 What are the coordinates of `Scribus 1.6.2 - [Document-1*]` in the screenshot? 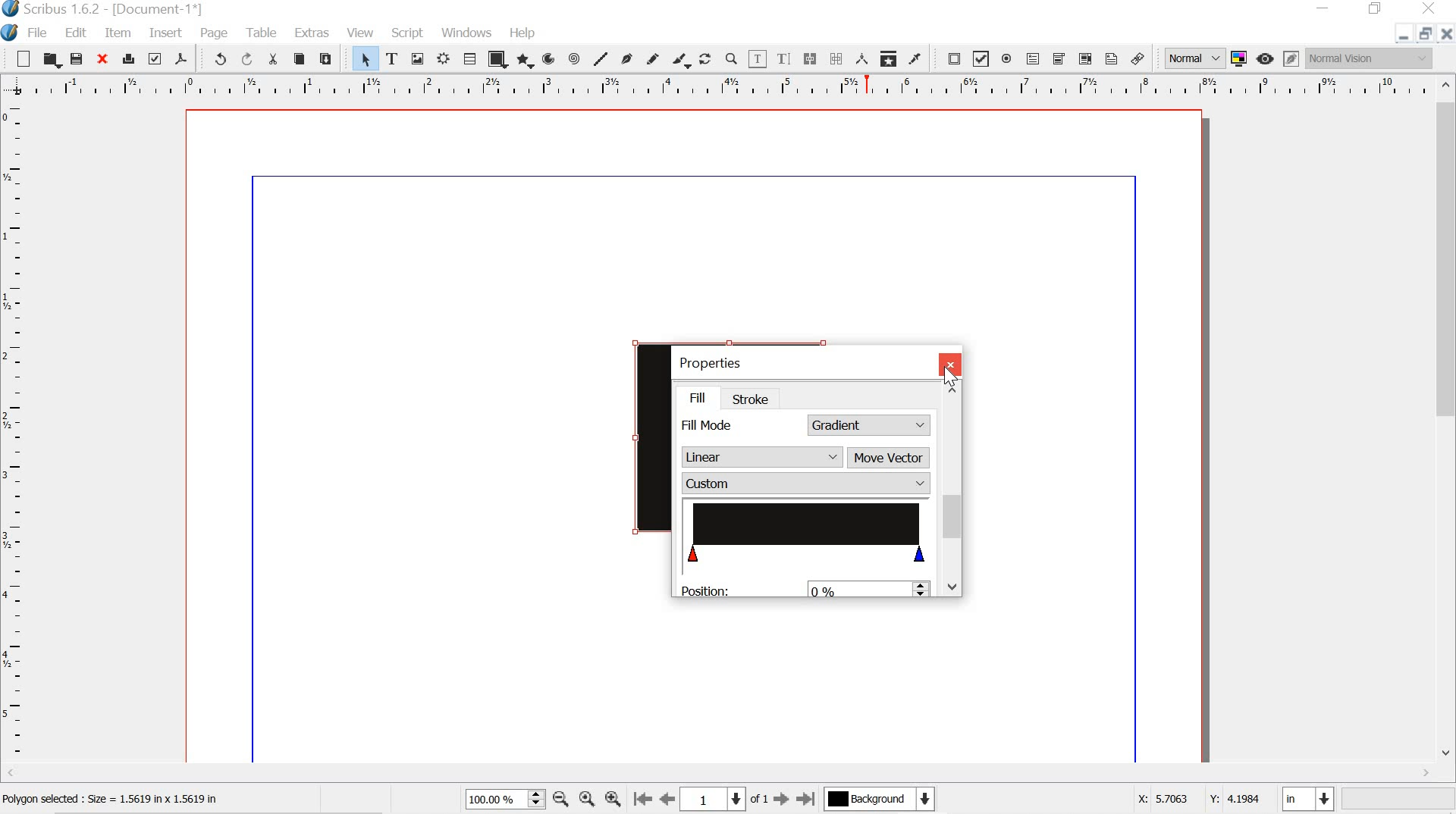 It's located at (124, 9).